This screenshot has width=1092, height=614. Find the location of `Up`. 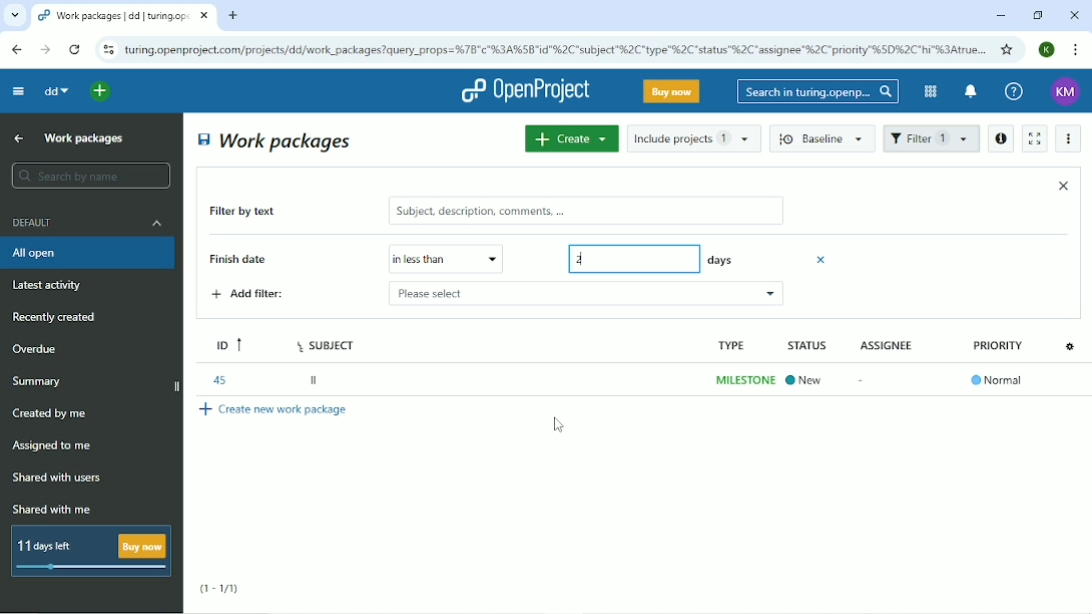

Up is located at coordinates (16, 139).